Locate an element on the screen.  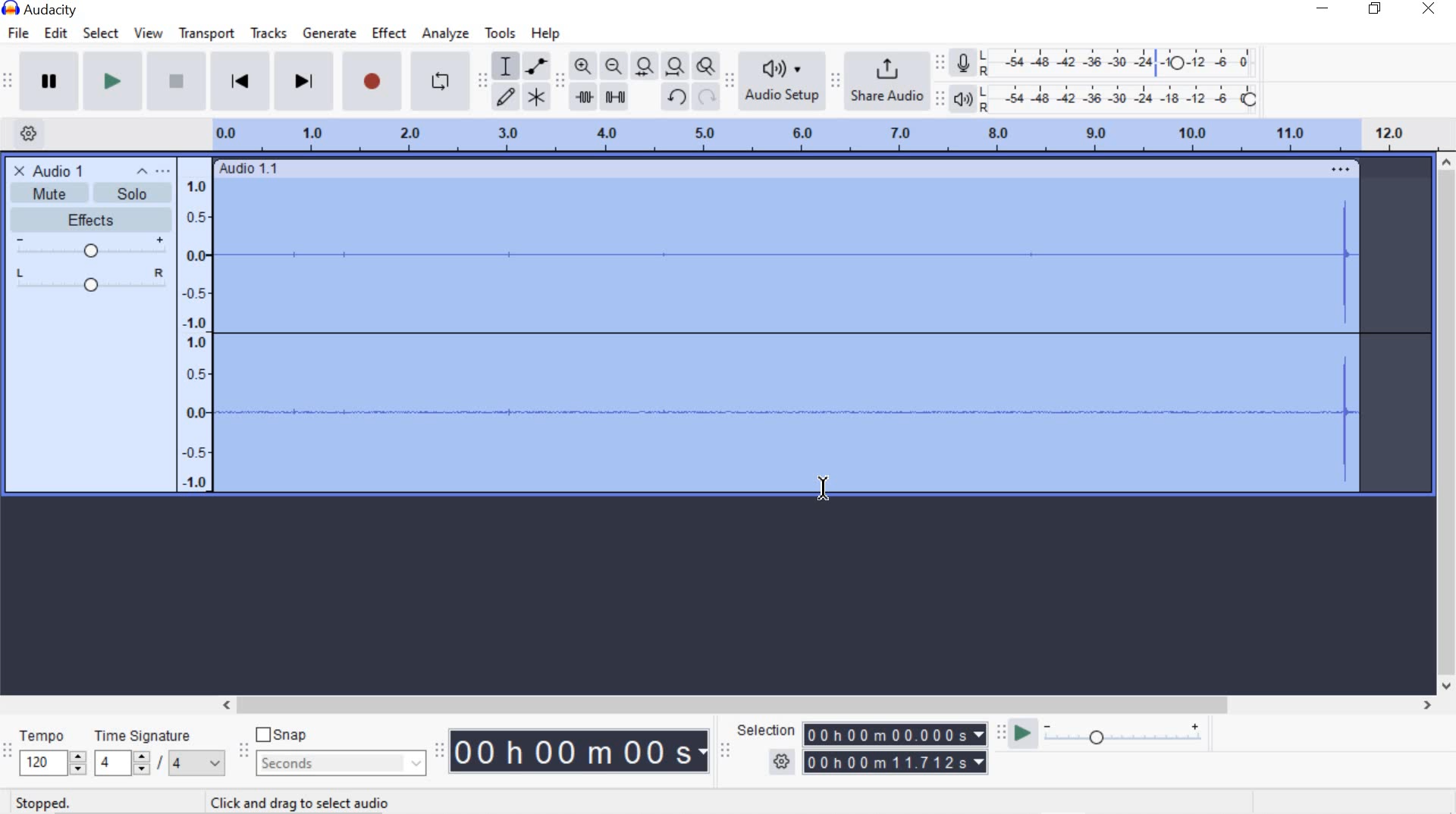
restore down is located at coordinates (1378, 9).